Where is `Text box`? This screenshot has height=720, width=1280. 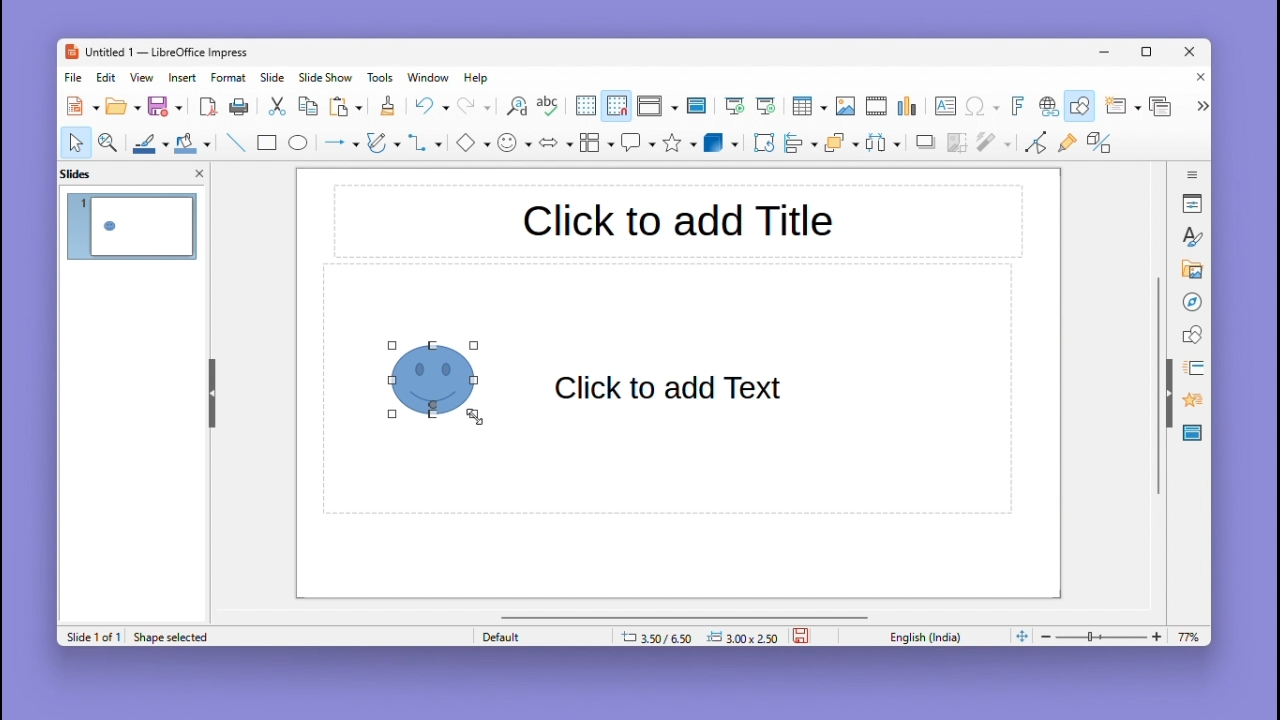 Text box is located at coordinates (945, 106).